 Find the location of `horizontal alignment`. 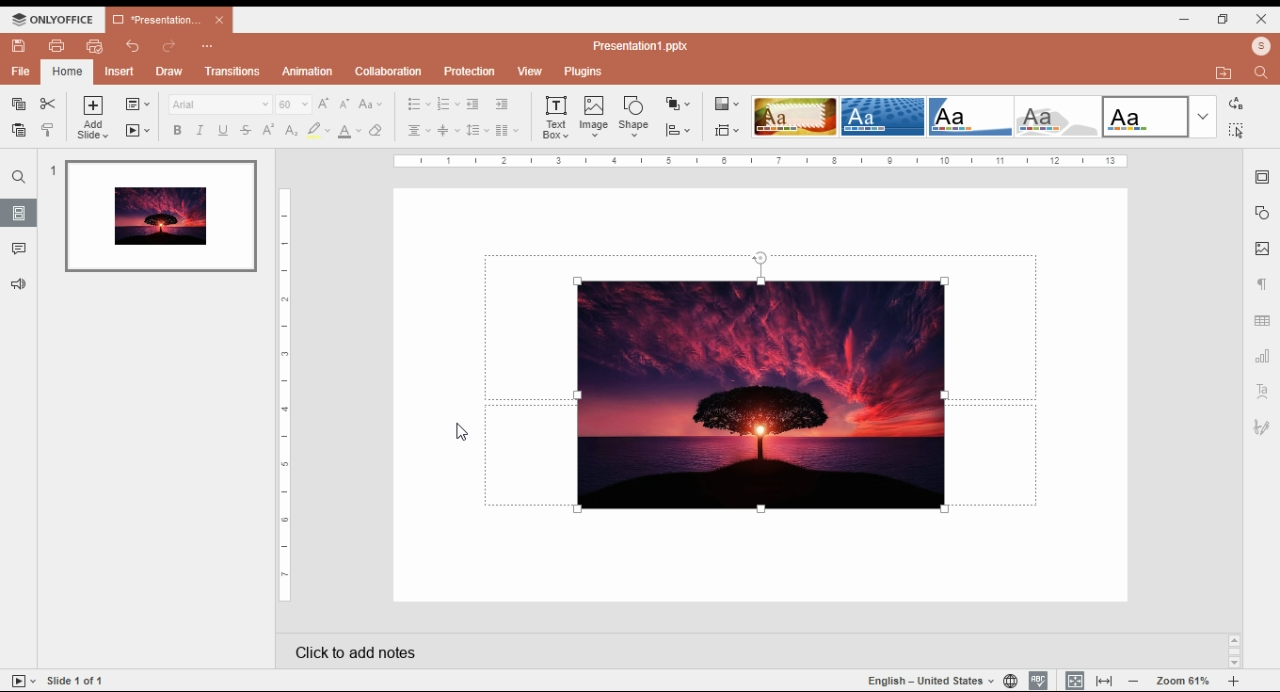

horizontal alignment is located at coordinates (419, 131).